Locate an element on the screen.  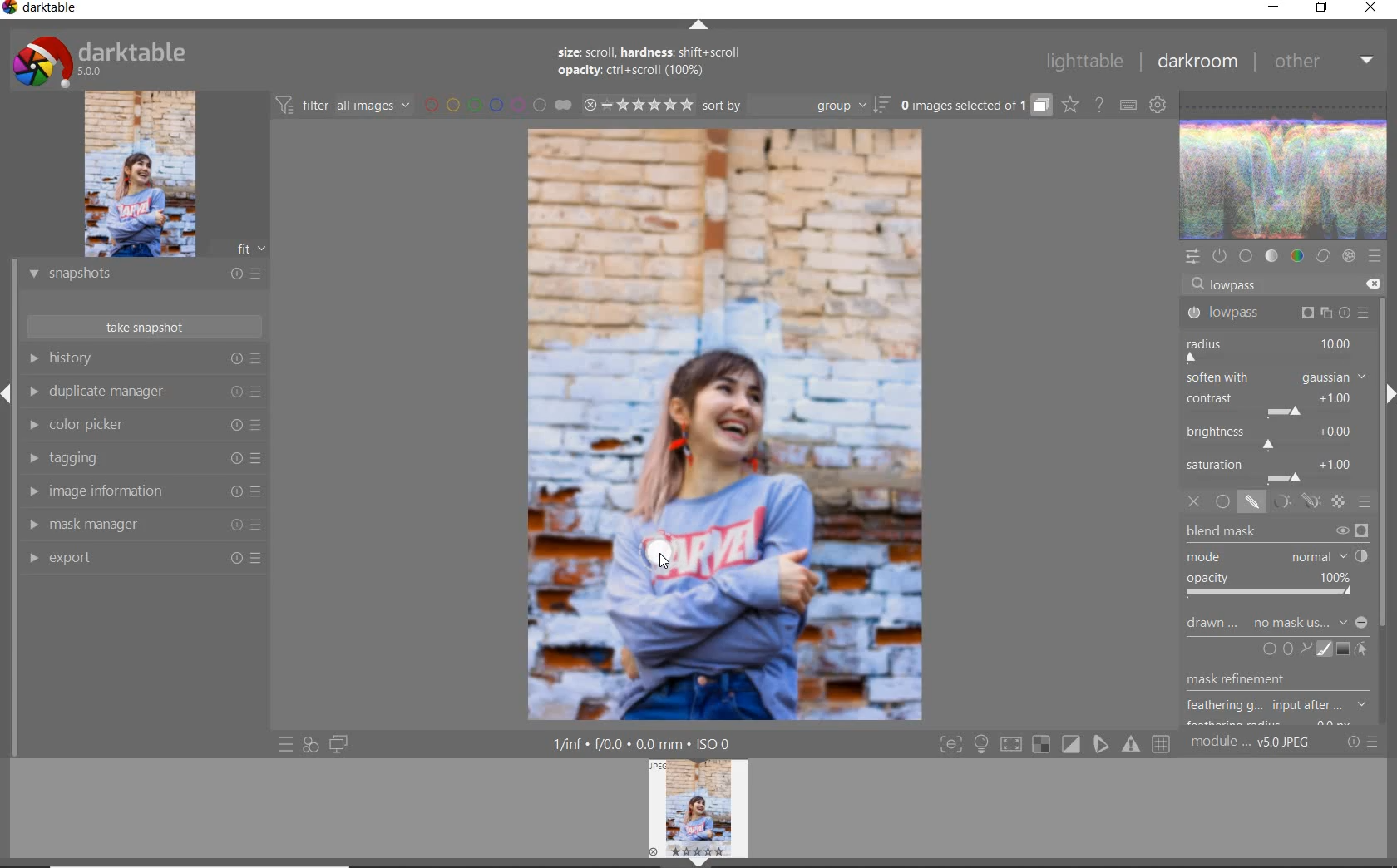
expand/collapse is located at coordinates (698, 25).